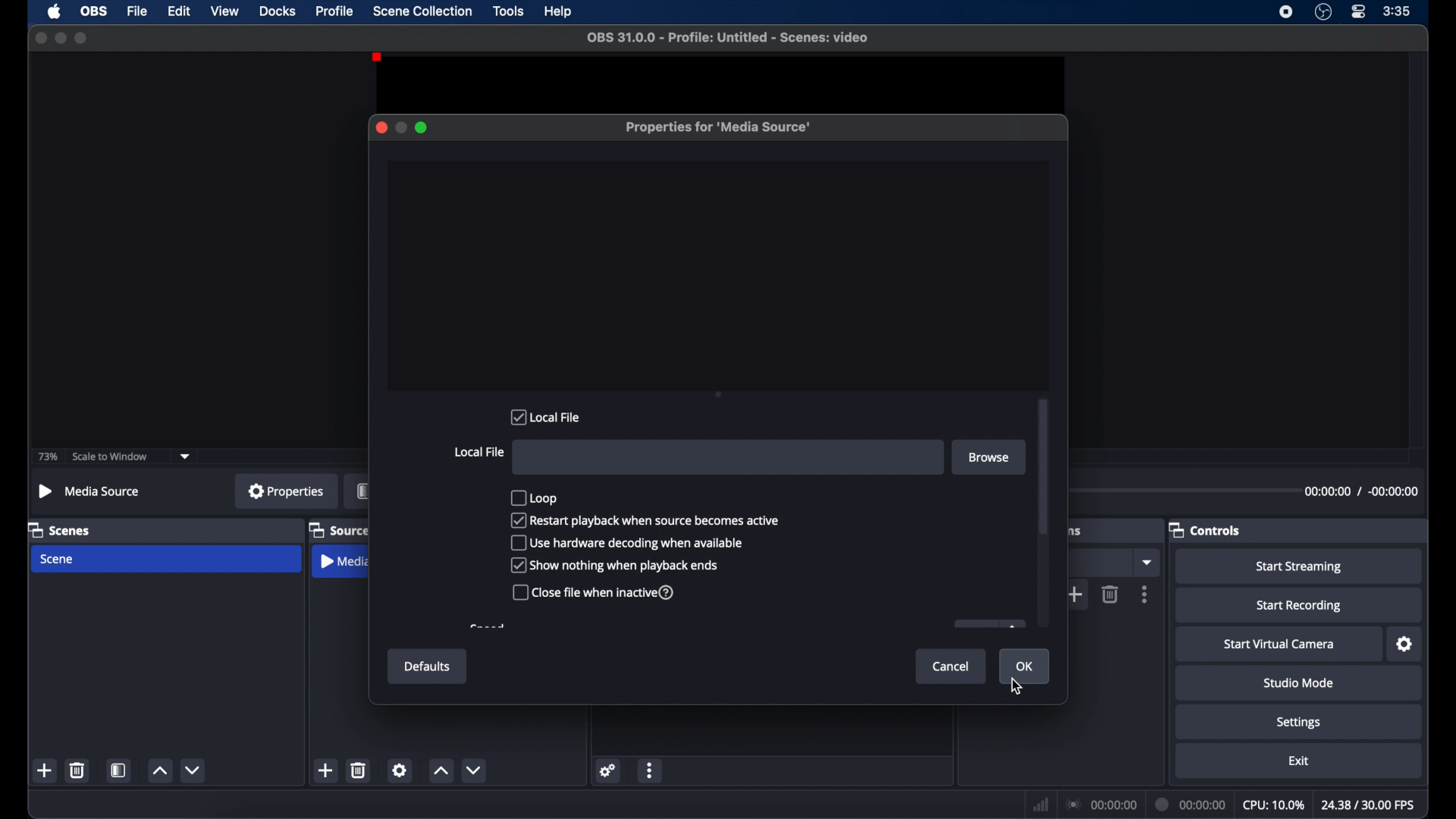  Describe the element at coordinates (993, 623) in the screenshot. I see `obscure button` at that location.